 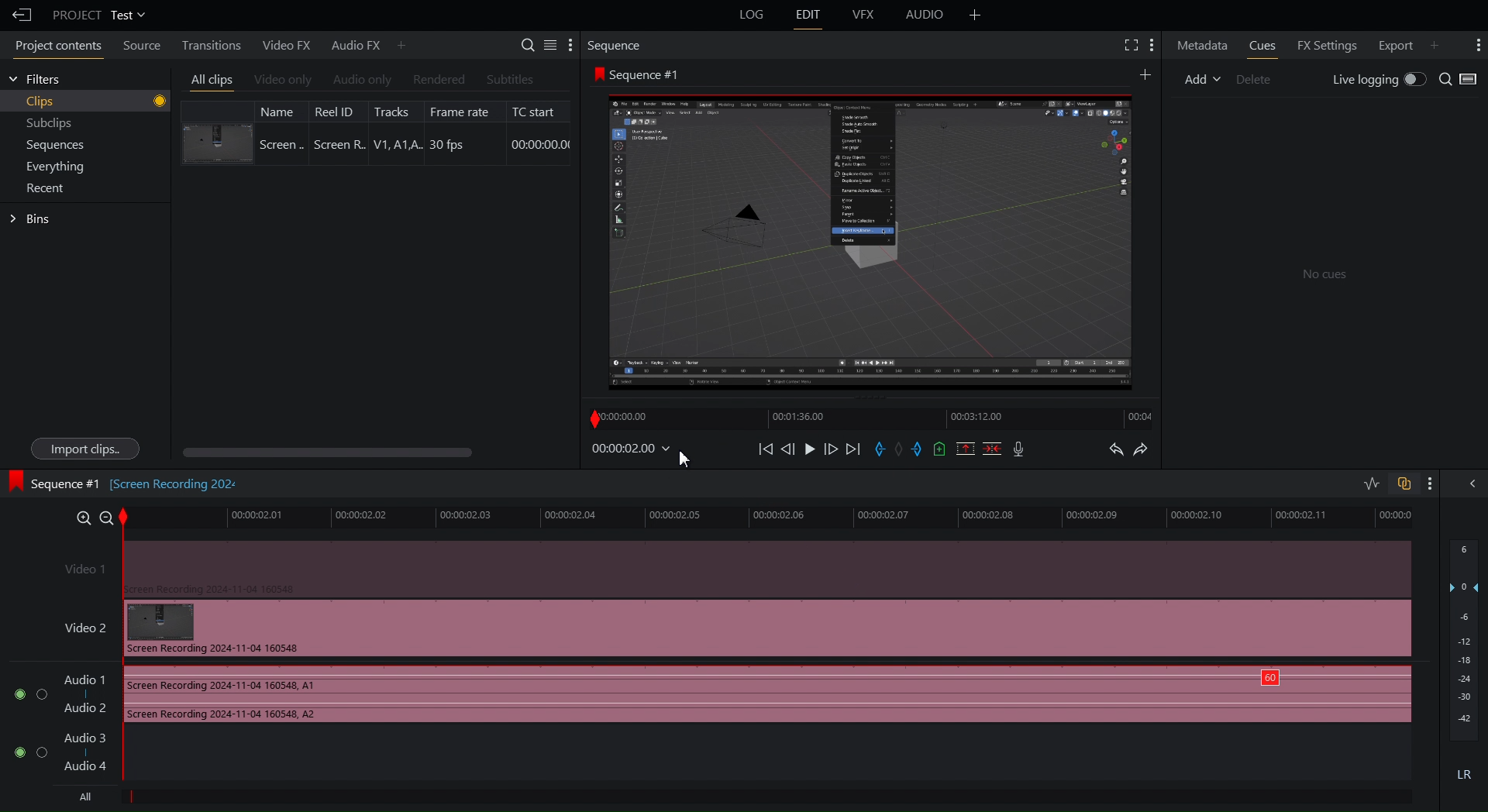 I want to click on Audio Track 1, so click(x=706, y=696).